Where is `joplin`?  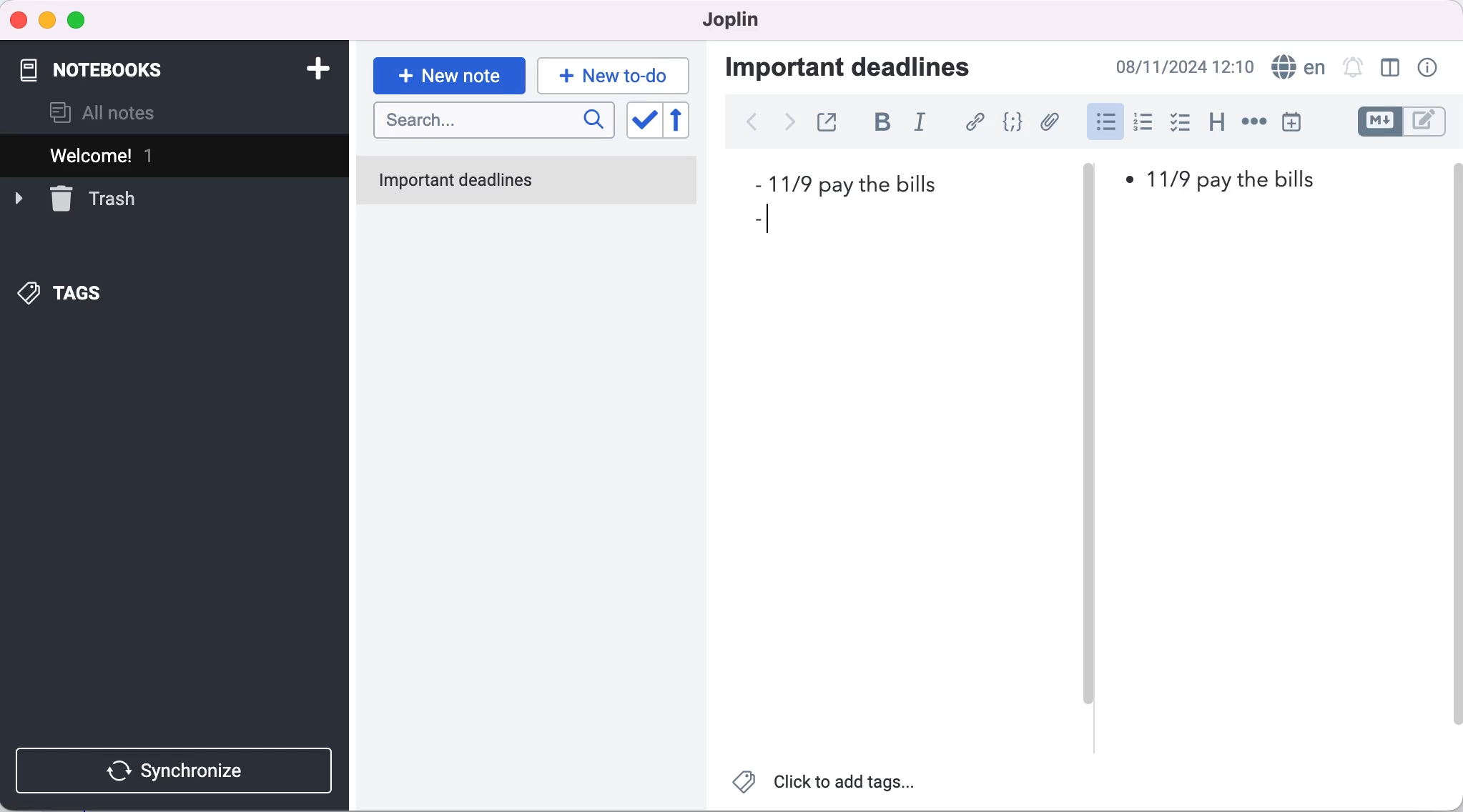
joplin is located at coordinates (735, 21).